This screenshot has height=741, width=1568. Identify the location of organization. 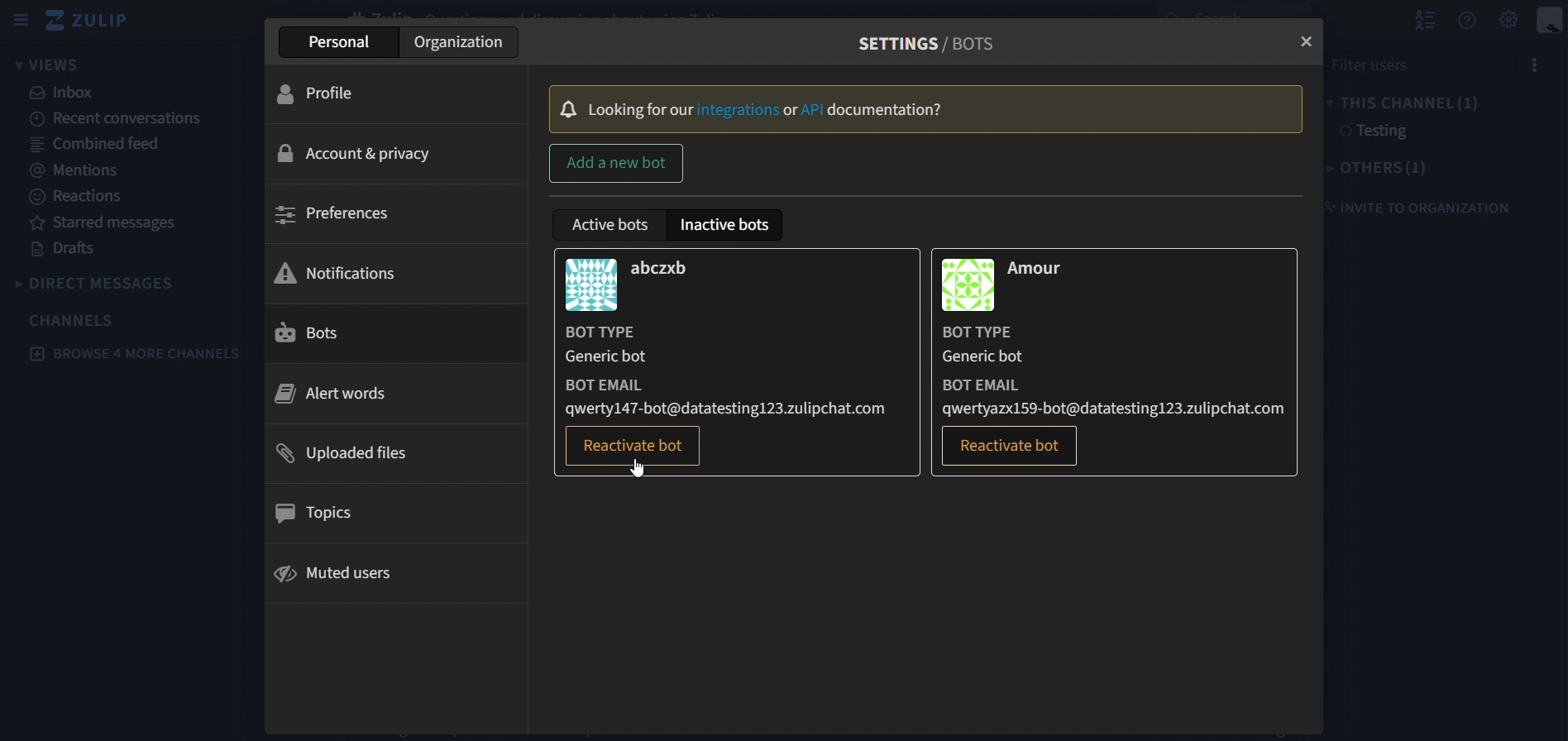
(462, 44).